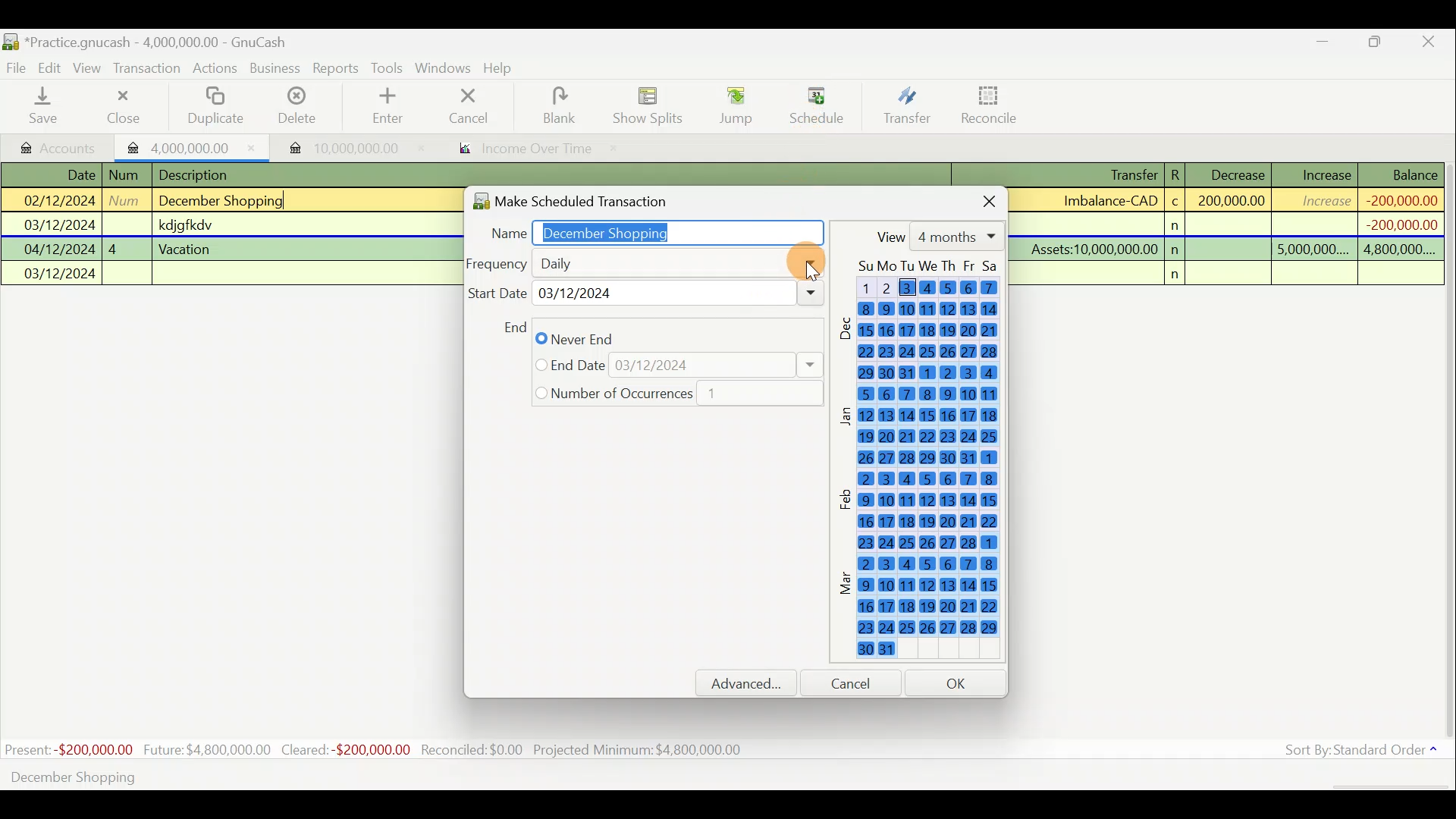 The width and height of the screenshot is (1456, 819). What do you see at coordinates (977, 199) in the screenshot?
I see `Close` at bounding box center [977, 199].